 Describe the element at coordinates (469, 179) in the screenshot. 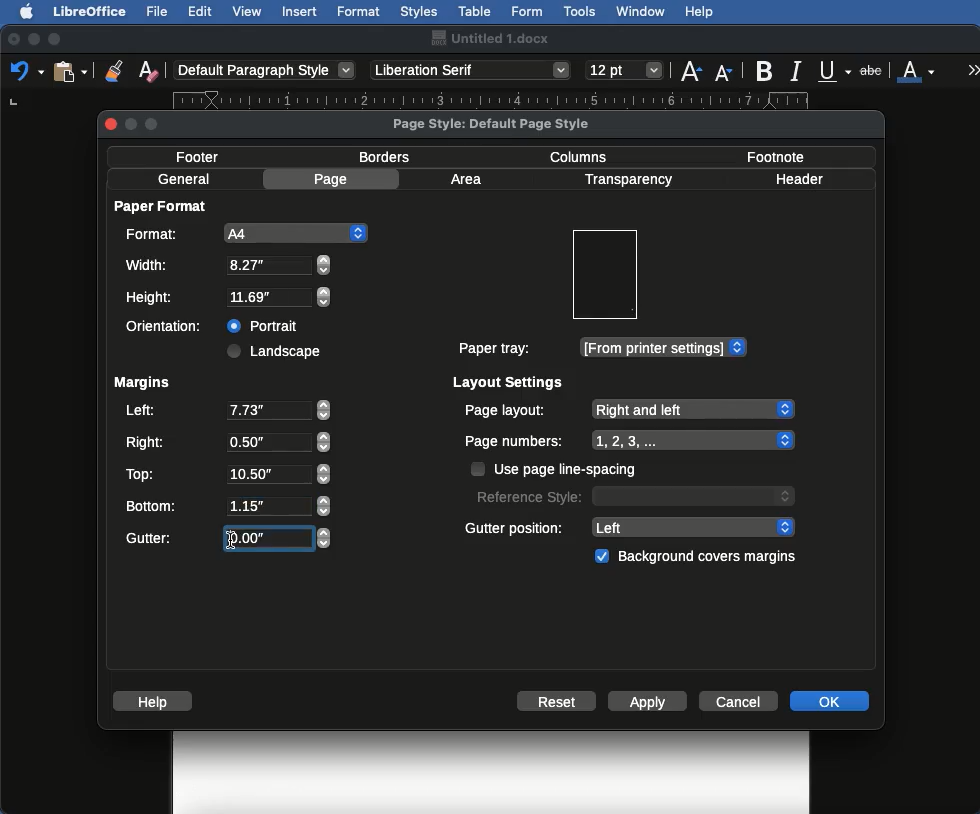

I see `Area` at that location.